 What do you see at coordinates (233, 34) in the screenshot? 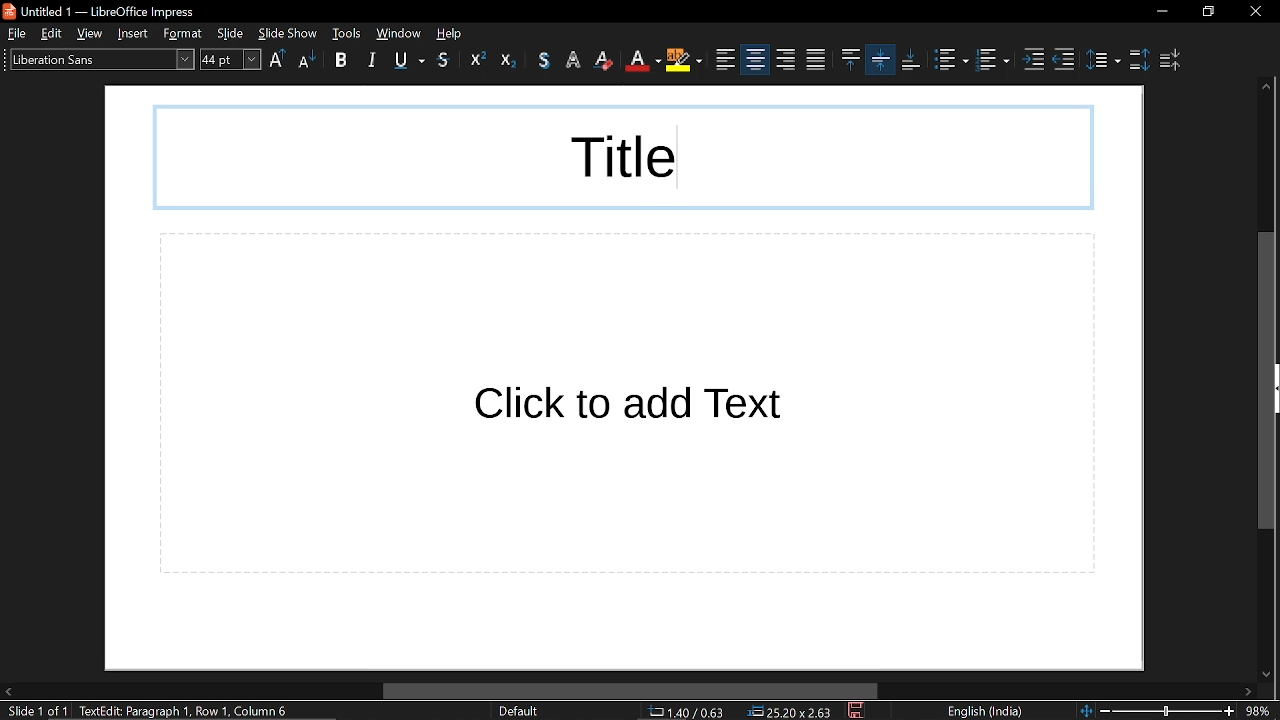
I see `slide` at bounding box center [233, 34].